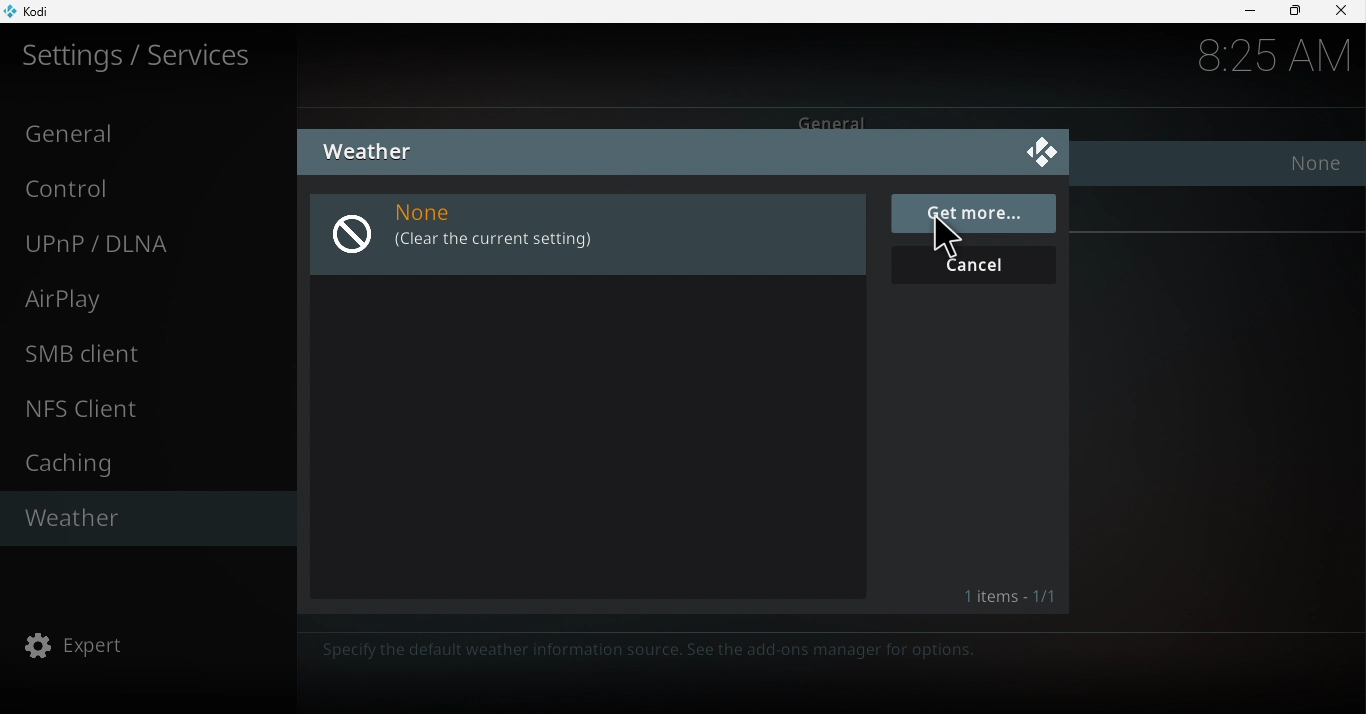 This screenshot has height=714, width=1366. What do you see at coordinates (1217, 210) in the screenshot?
I see `Settings` at bounding box center [1217, 210].